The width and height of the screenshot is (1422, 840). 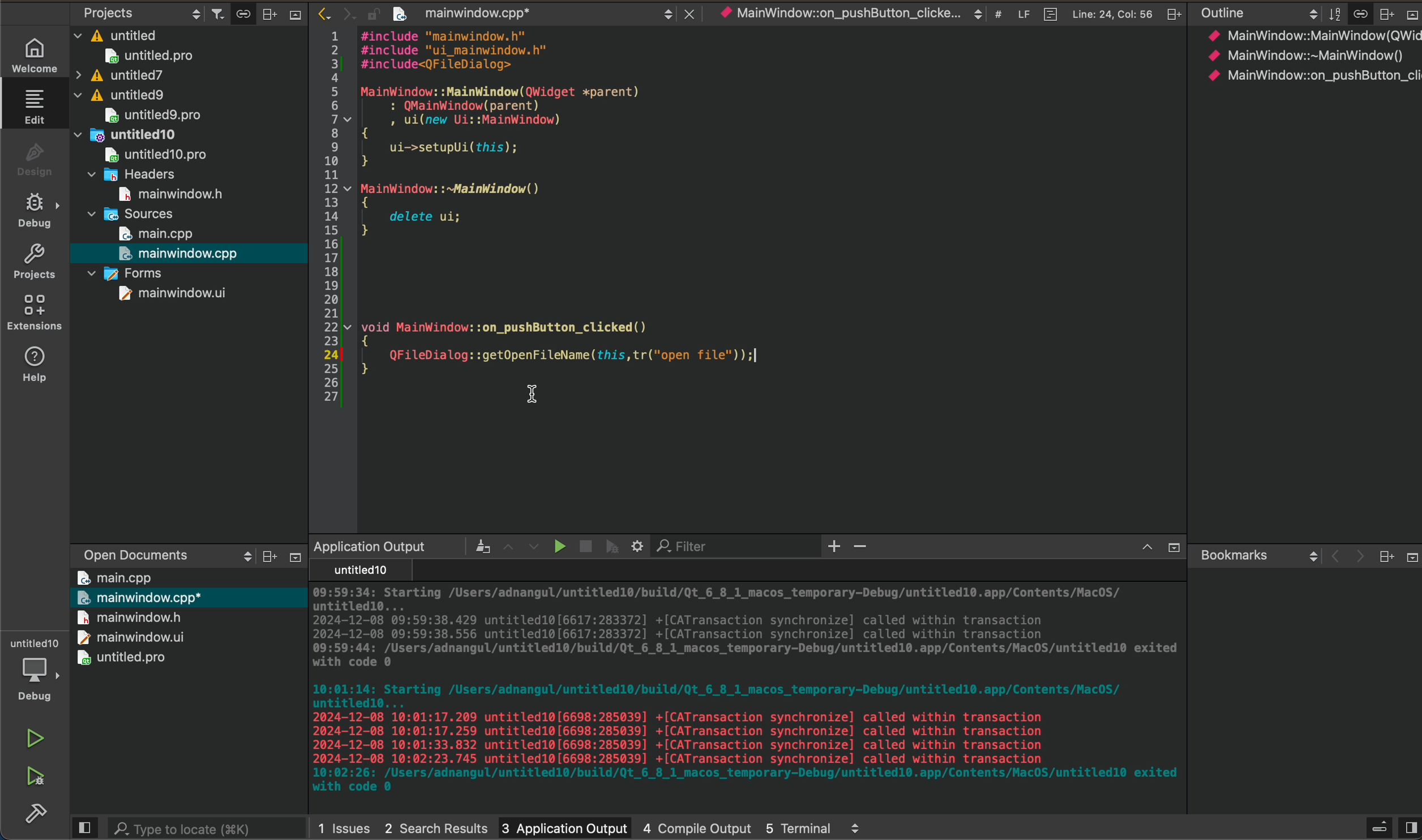 What do you see at coordinates (265, 557) in the screenshot?
I see `` at bounding box center [265, 557].